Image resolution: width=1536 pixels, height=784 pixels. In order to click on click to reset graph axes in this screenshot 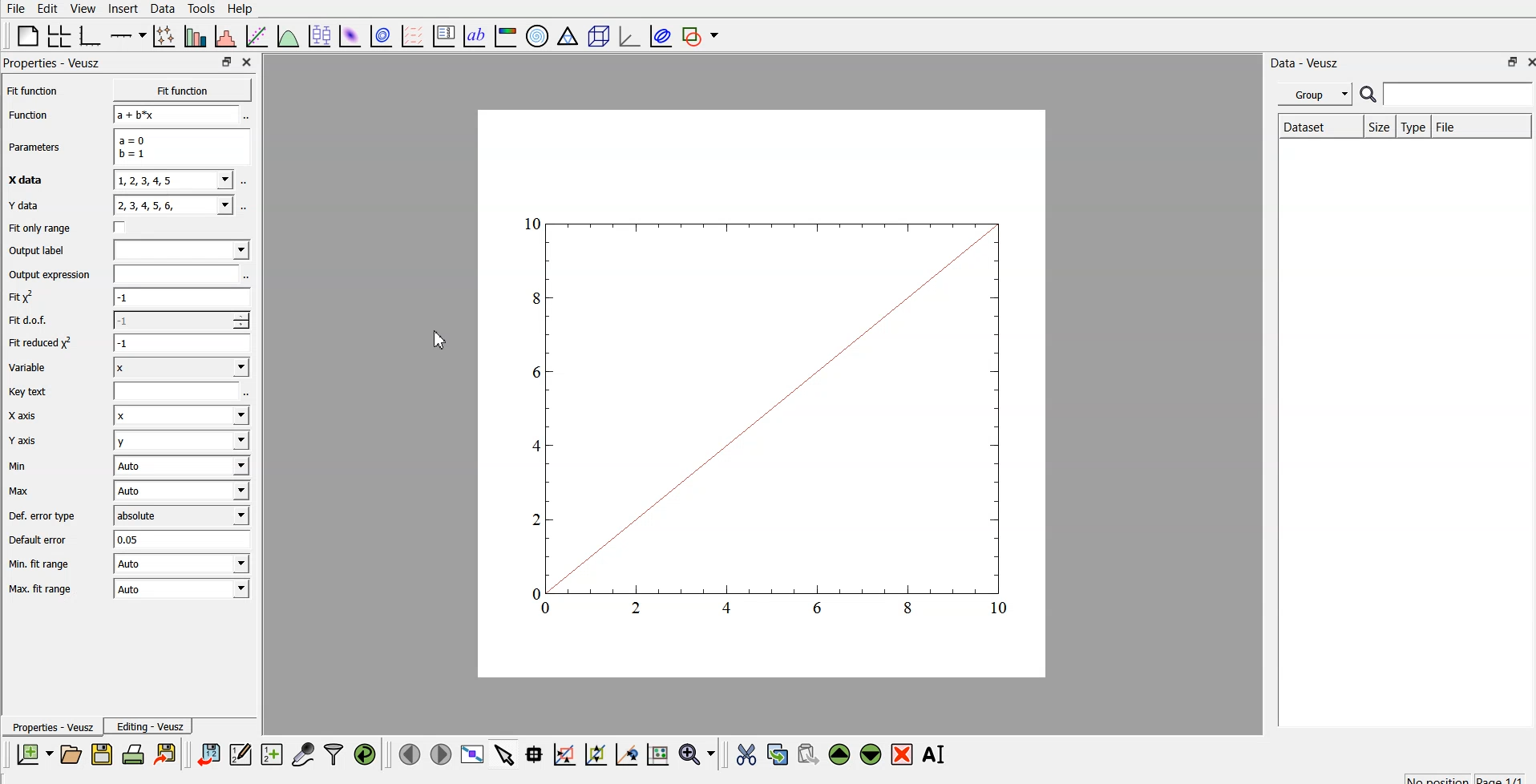, I will do `click(659, 754)`.